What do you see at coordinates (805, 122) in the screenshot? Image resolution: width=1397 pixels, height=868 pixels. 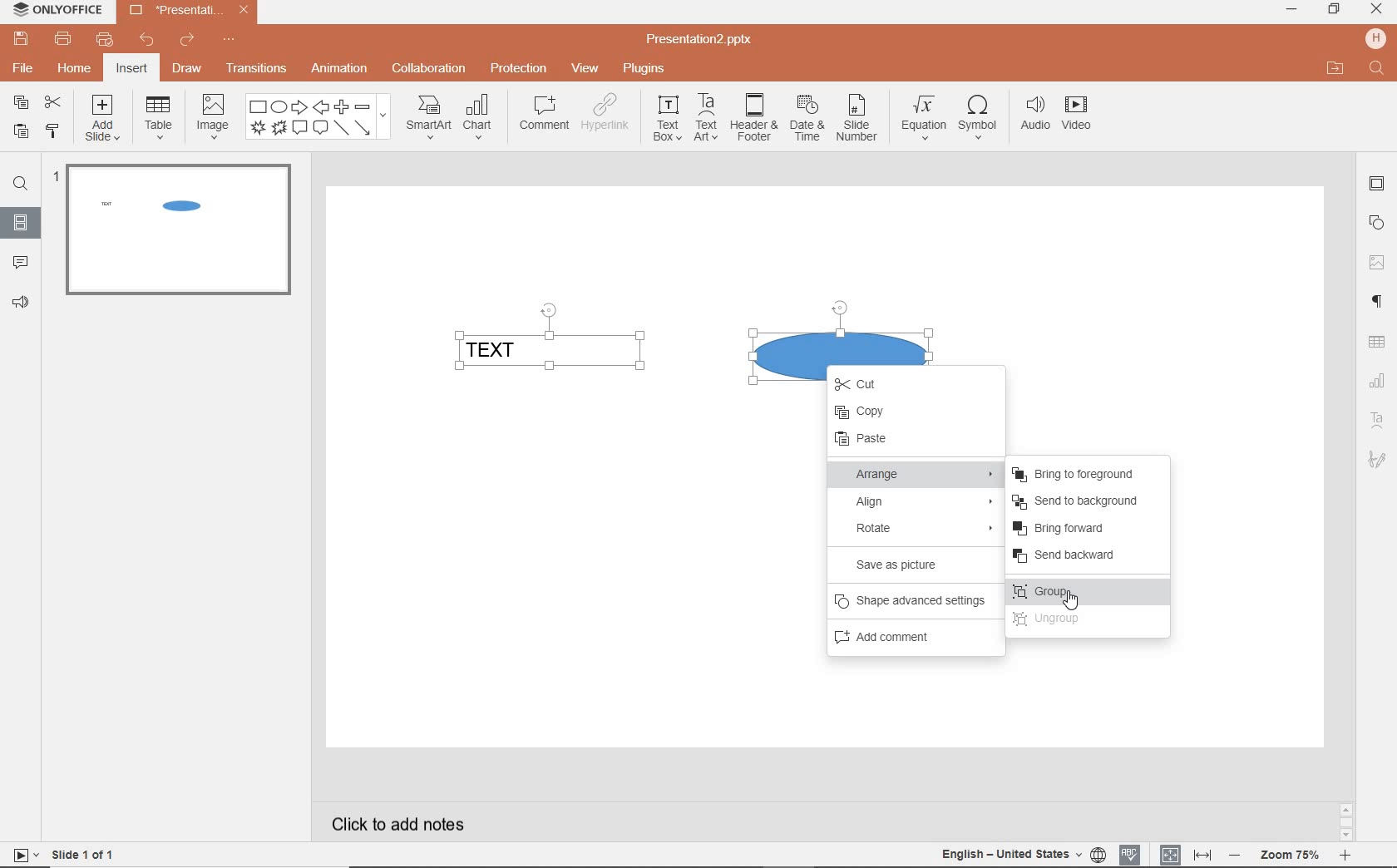 I see `date & time` at bounding box center [805, 122].